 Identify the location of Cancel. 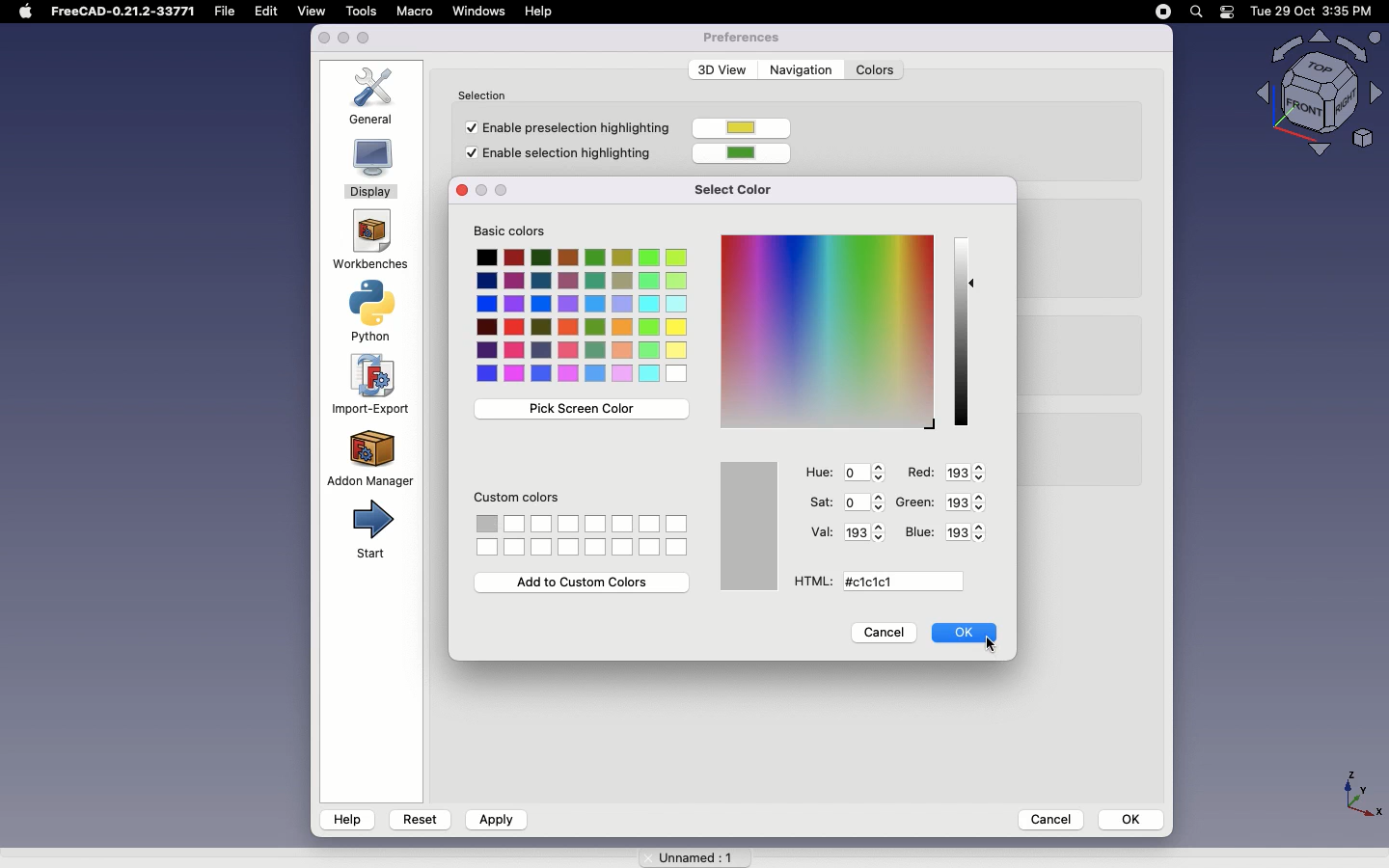
(1045, 818).